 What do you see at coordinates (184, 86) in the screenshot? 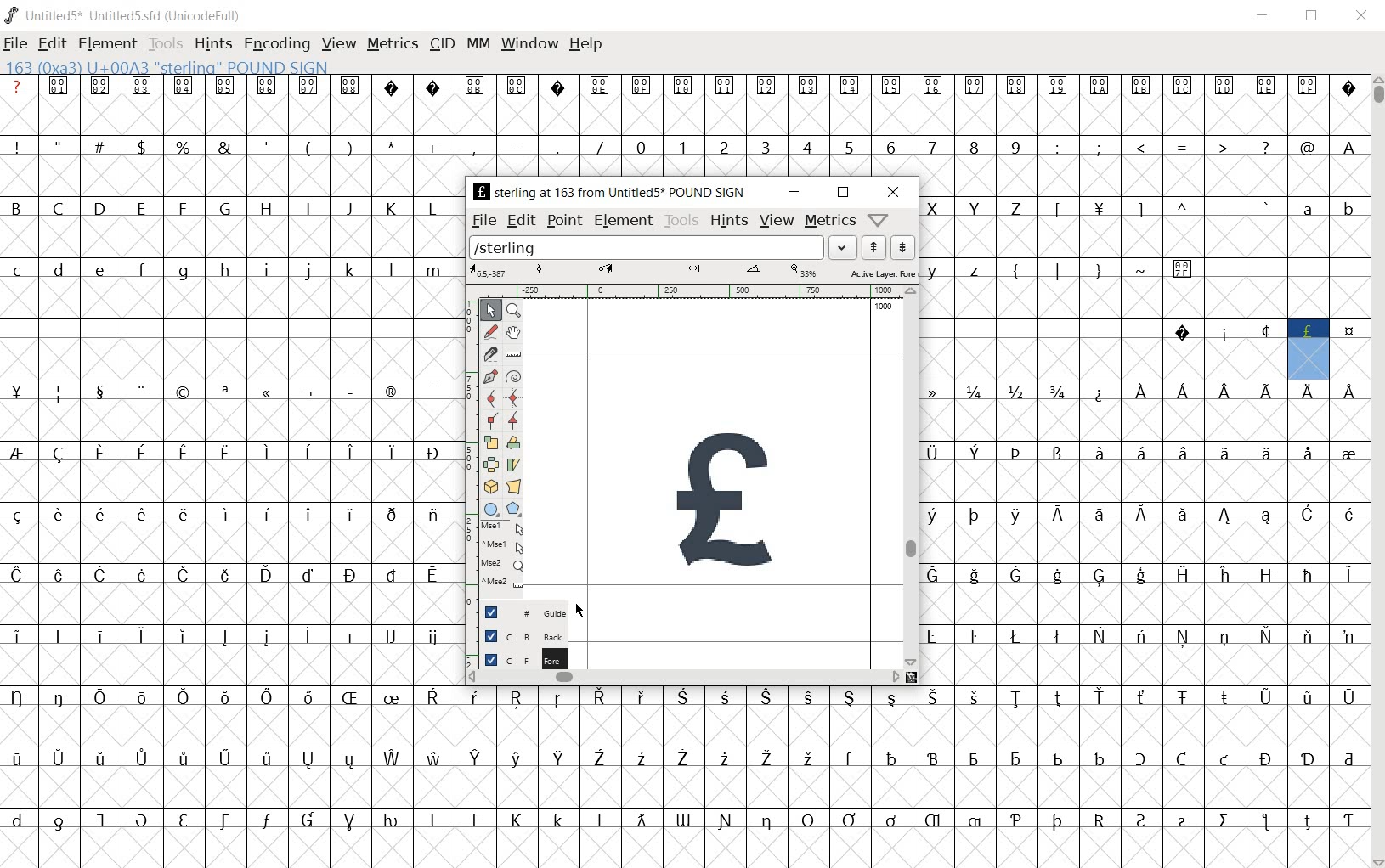
I see `Symbol` at bounding box center [184, 86].